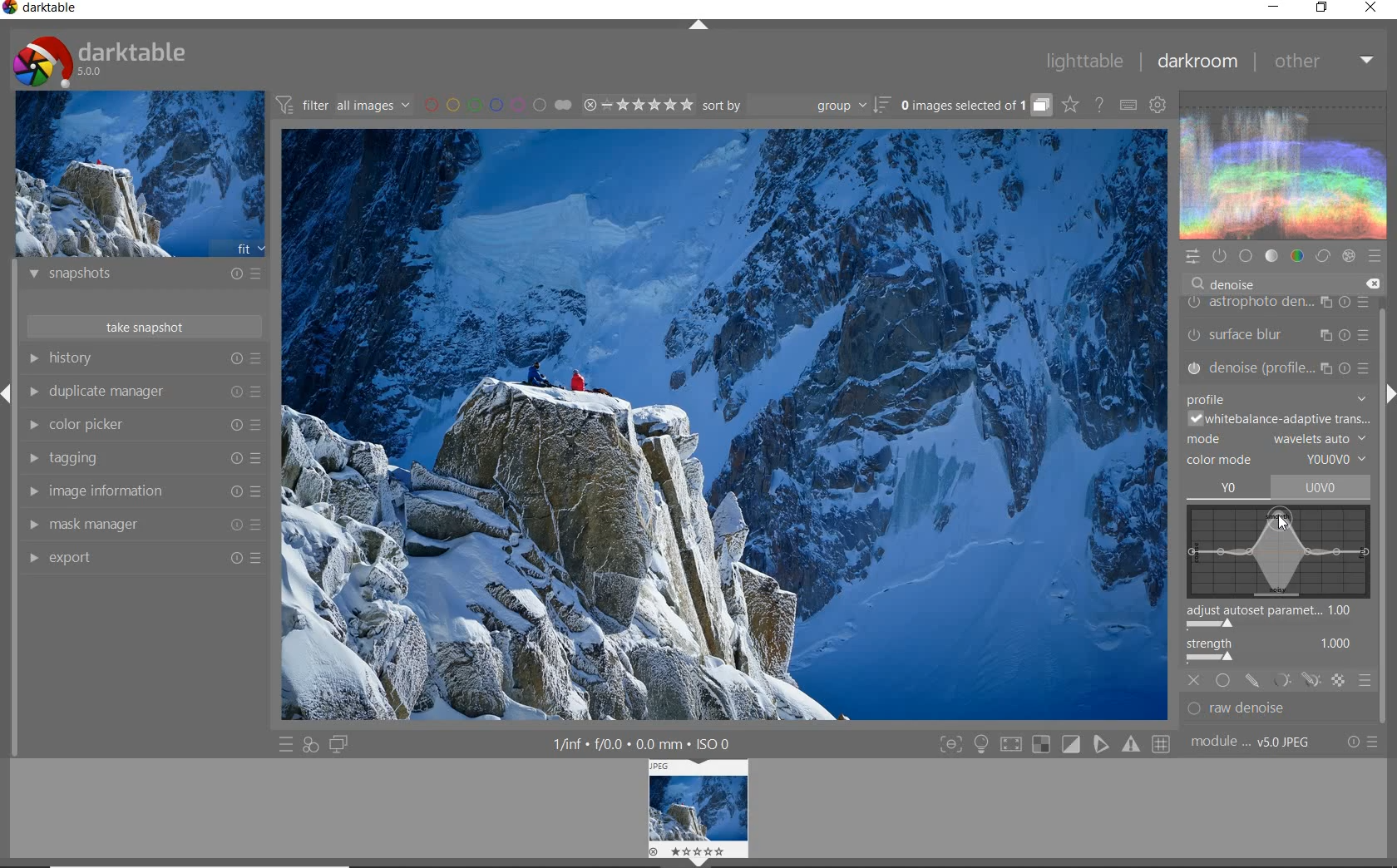 The image size is (1397, 868). I want to click on ADJUST AUTOSET PARAMETRIC, so click(1278, 619).